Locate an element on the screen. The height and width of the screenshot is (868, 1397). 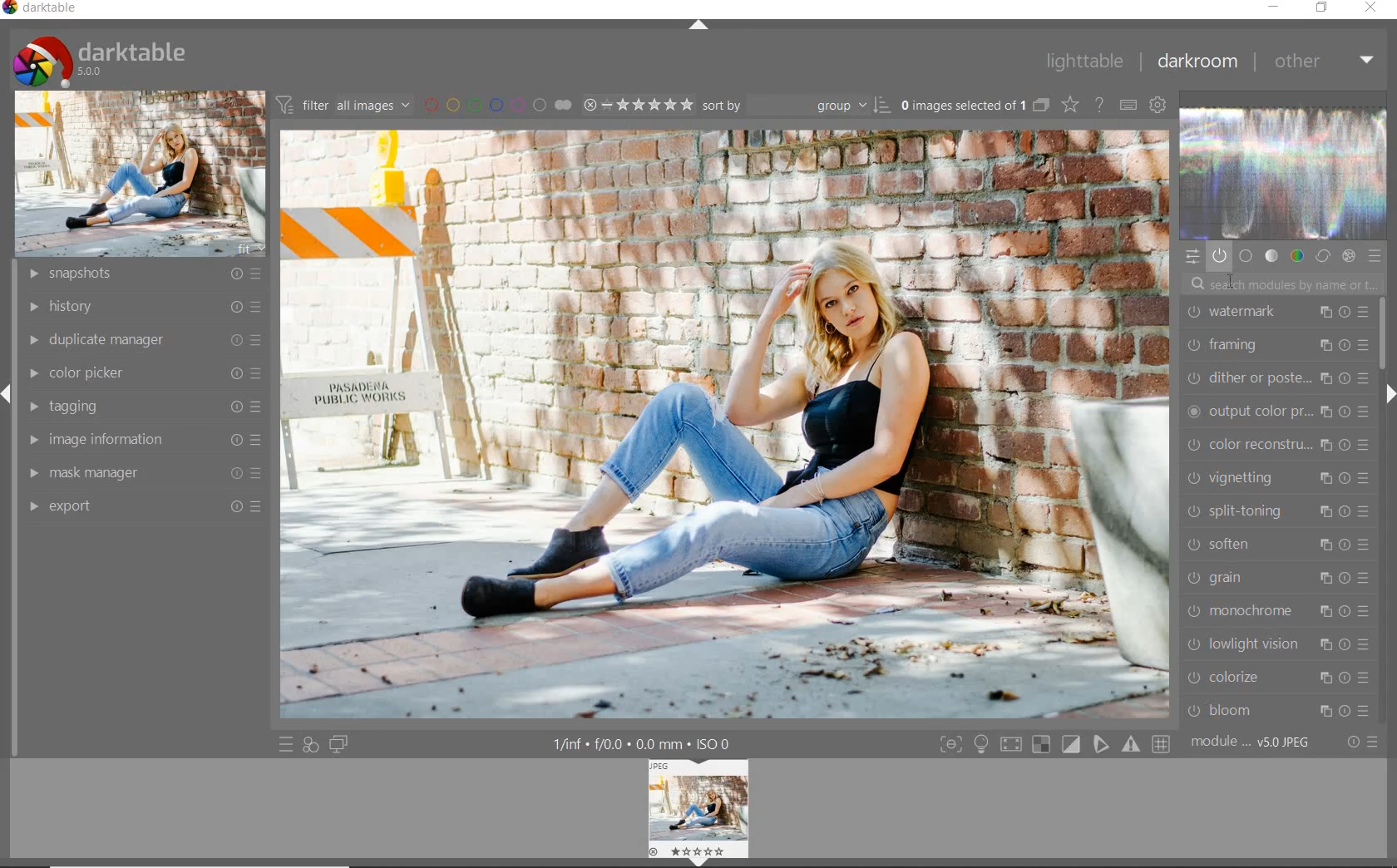
history is located at coordinates (142, 308).